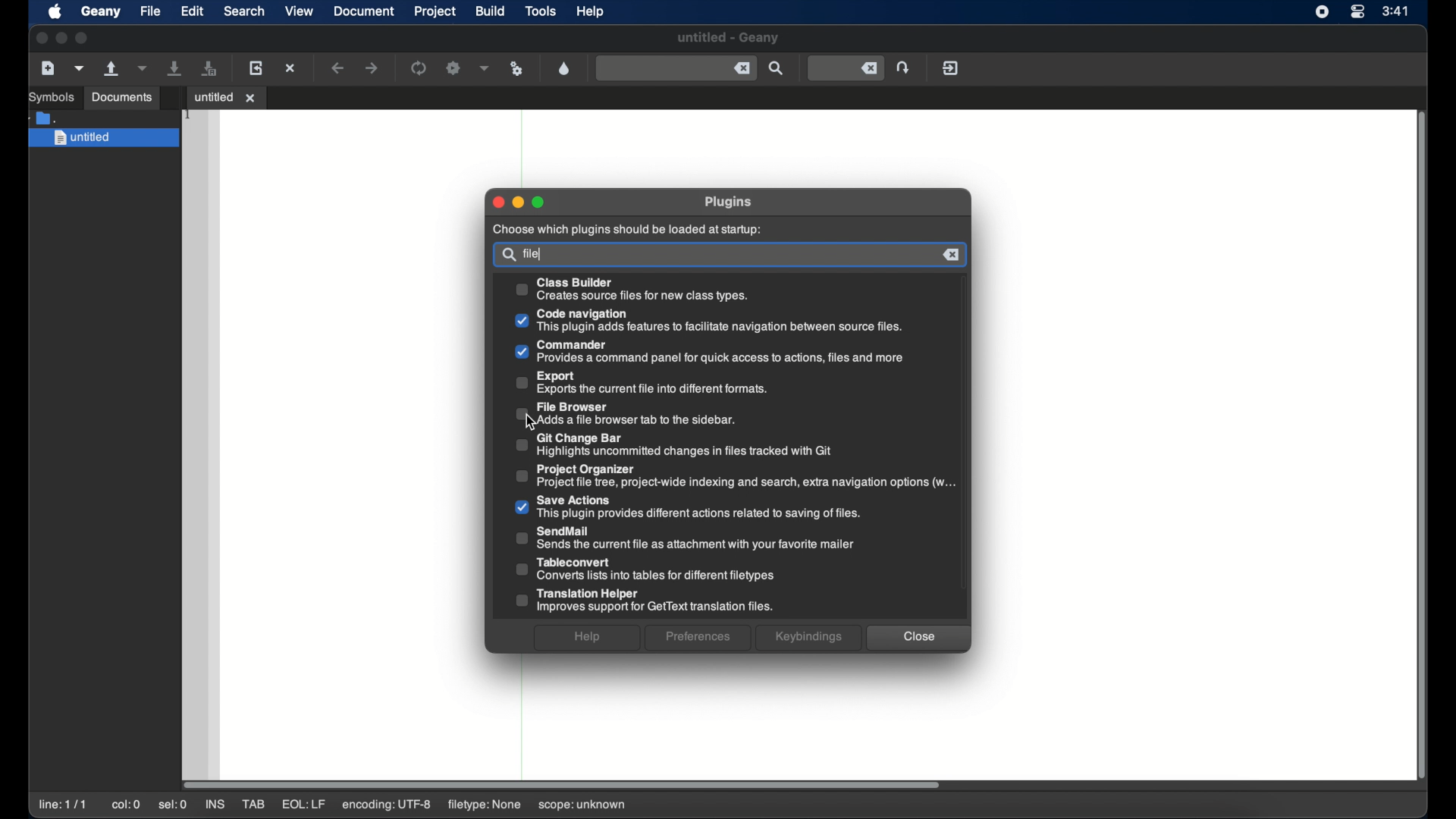 Image resolution: width=1456 pixels, height=819 pixels. What do you see at coordinates (952, 255) in the screenshot?
I see `` at bounding box center [952, 255].